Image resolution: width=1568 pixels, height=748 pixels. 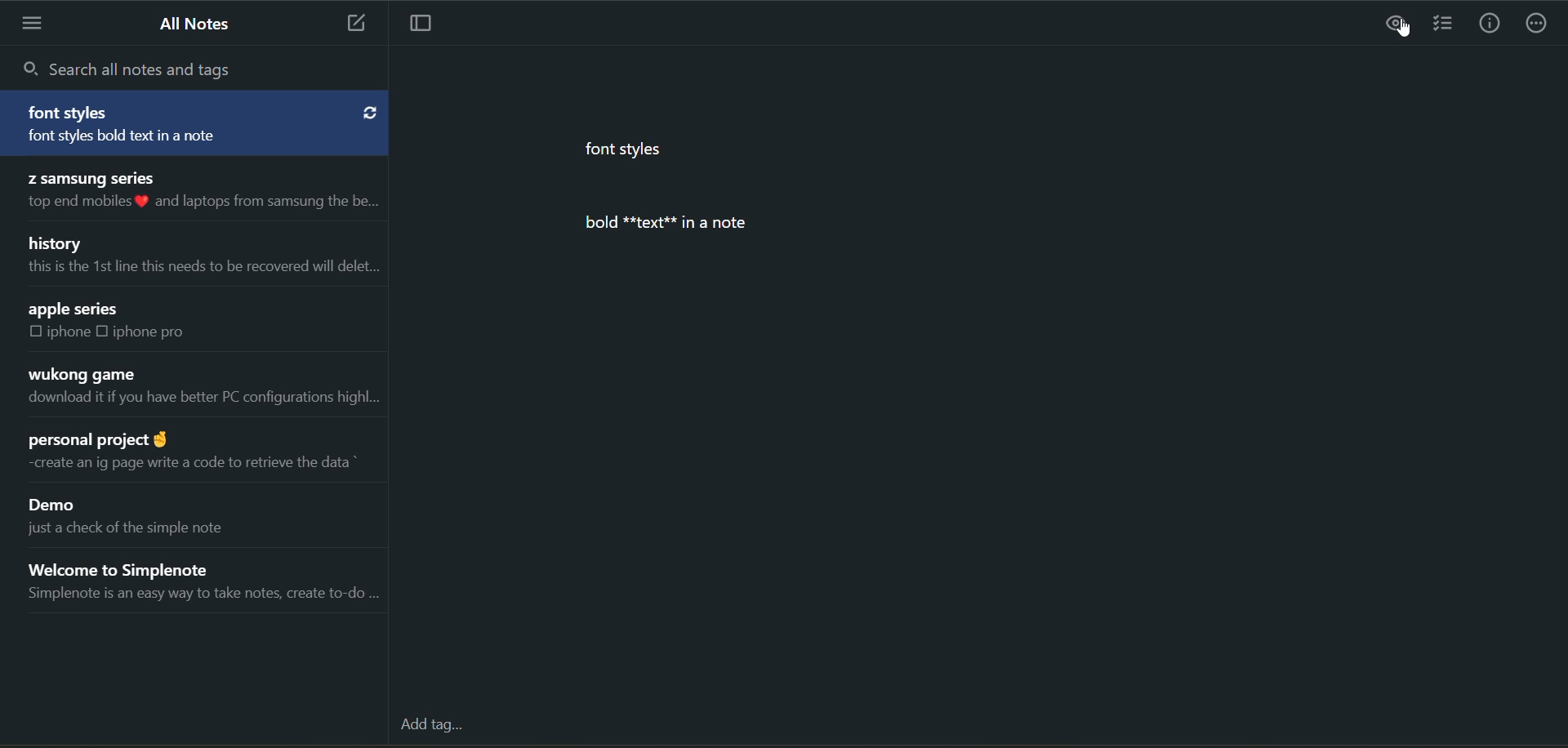 What do you see at coordinates (1489, 25) in the screenshot?
I see `info` at bounding box center [1489, 25].